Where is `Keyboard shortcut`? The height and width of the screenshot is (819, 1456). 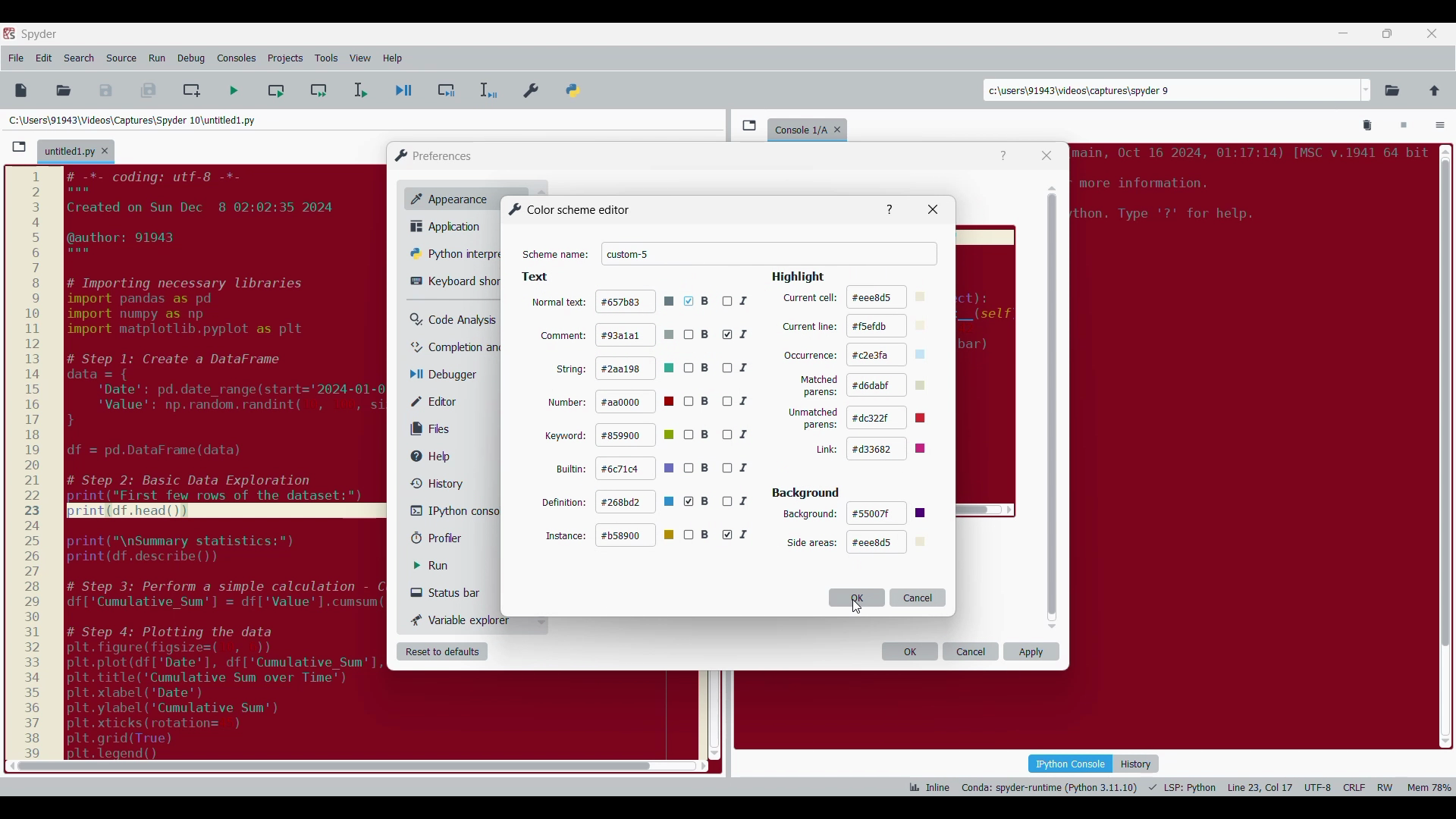
Keyboard shortcut is located at coordinates (455, 281).